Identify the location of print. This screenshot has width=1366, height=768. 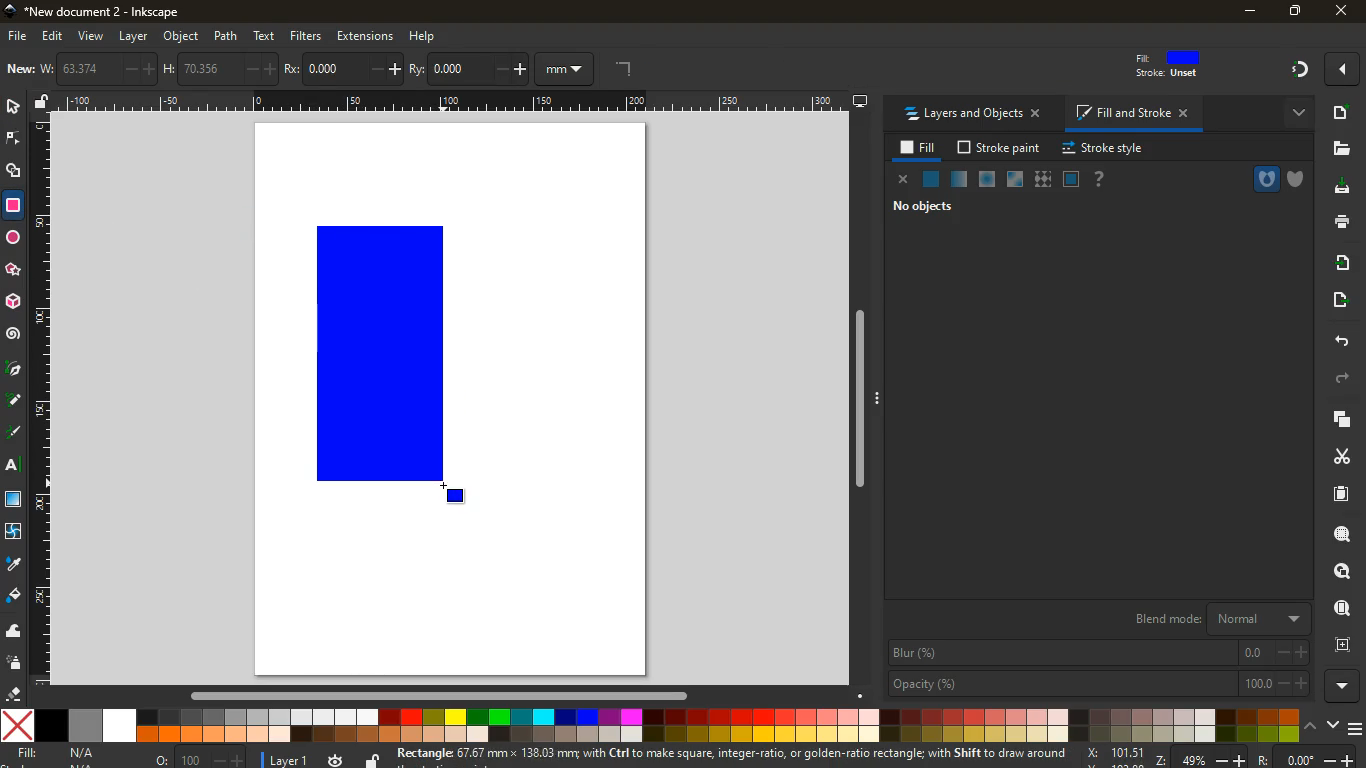
(1340, 222).